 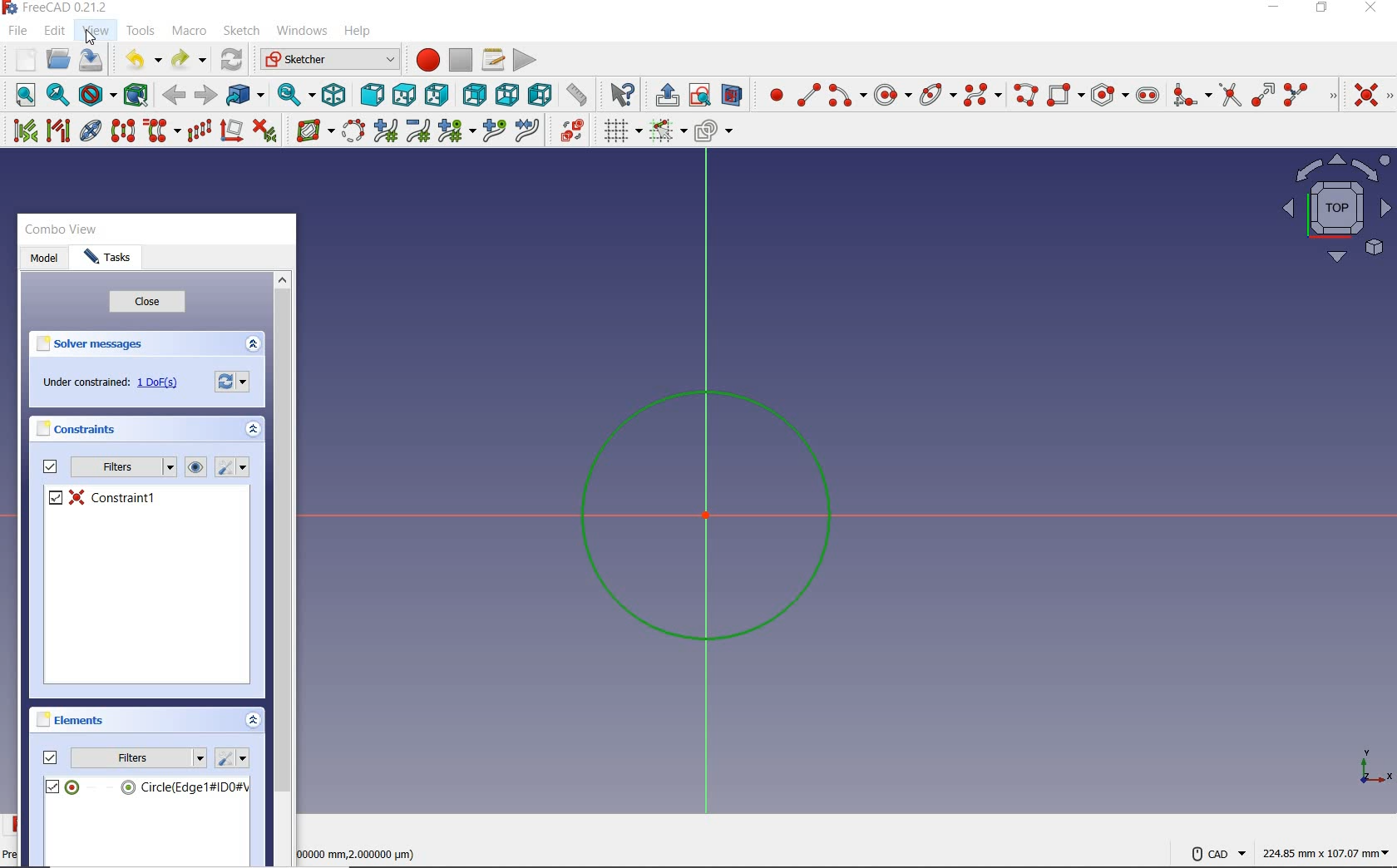 What do you see at coordinates (124, 757) in the screenshot?
I see `filters` at bounding box center [124, 757].